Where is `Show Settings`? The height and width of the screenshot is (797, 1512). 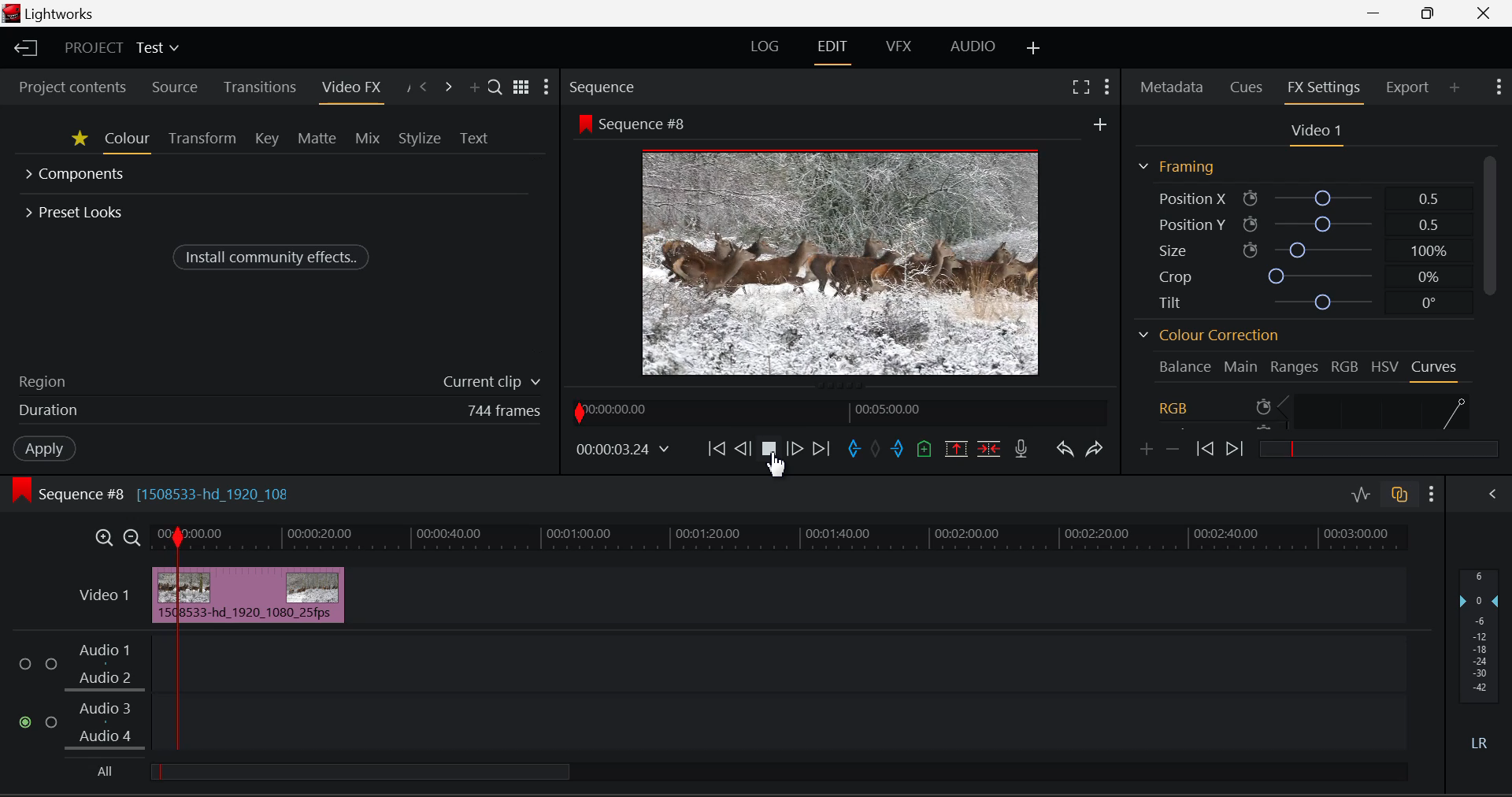
Show Settings is located at coordinates (1110, 86).